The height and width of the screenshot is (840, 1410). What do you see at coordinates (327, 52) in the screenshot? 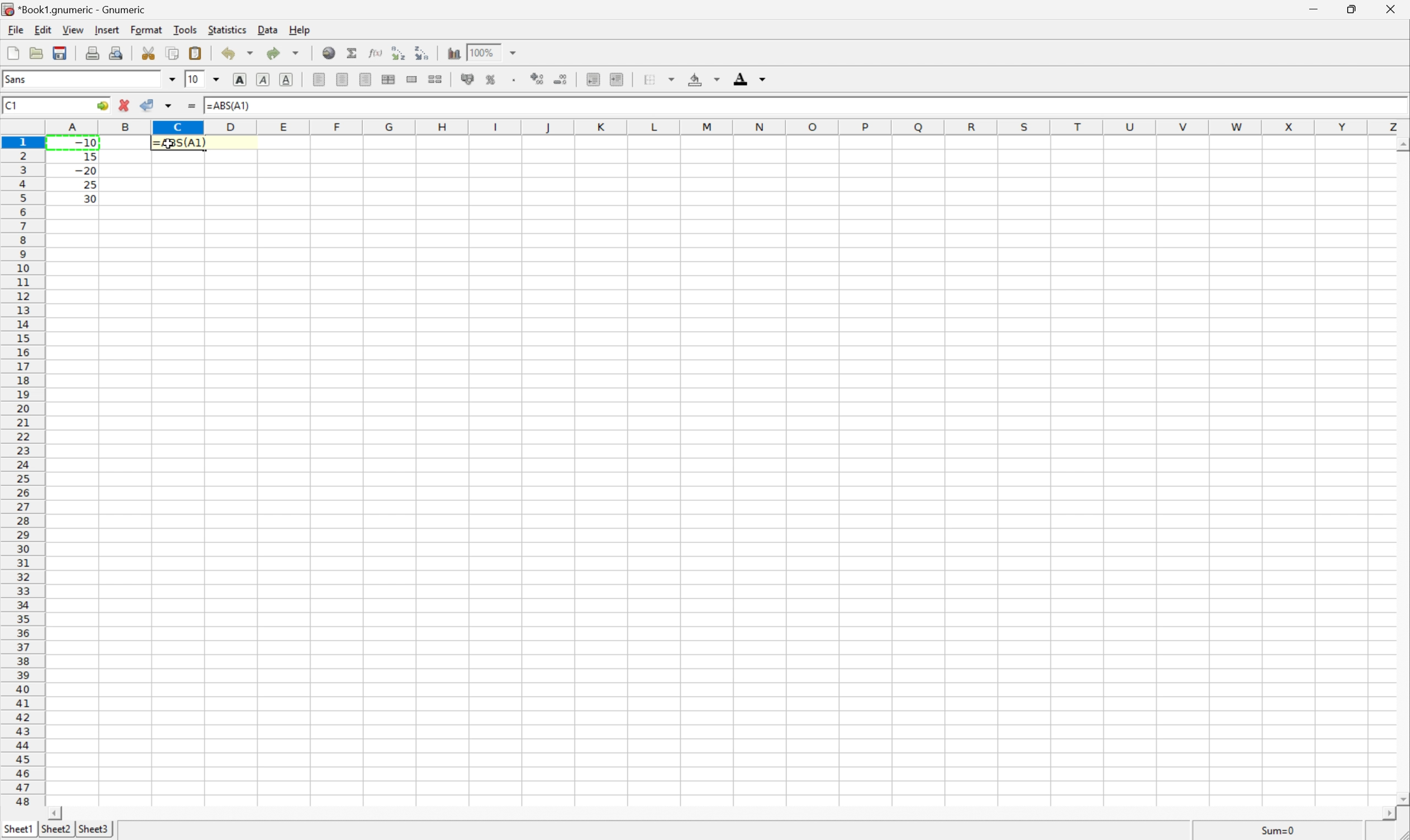
I see `Insert hyperlink` at bounding box center [327, 52].